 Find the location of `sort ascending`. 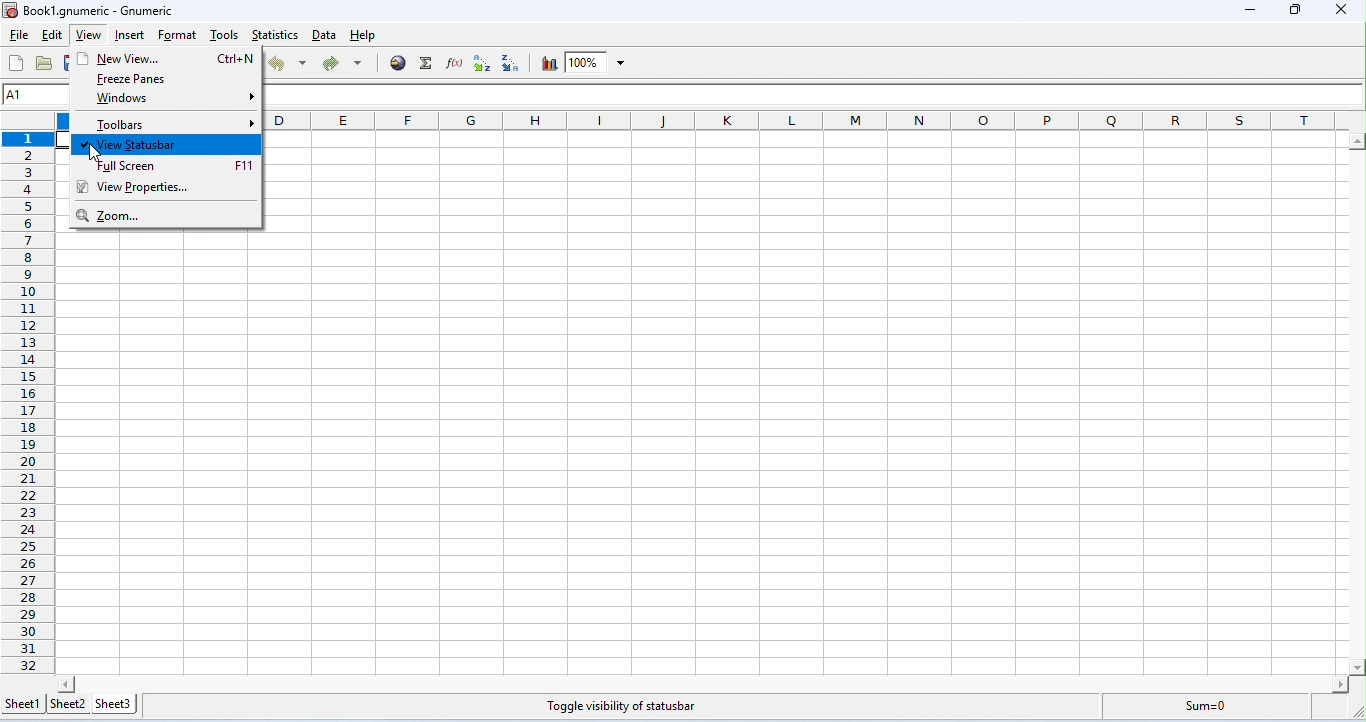

sort ascending is located at coordinates (481, 63).